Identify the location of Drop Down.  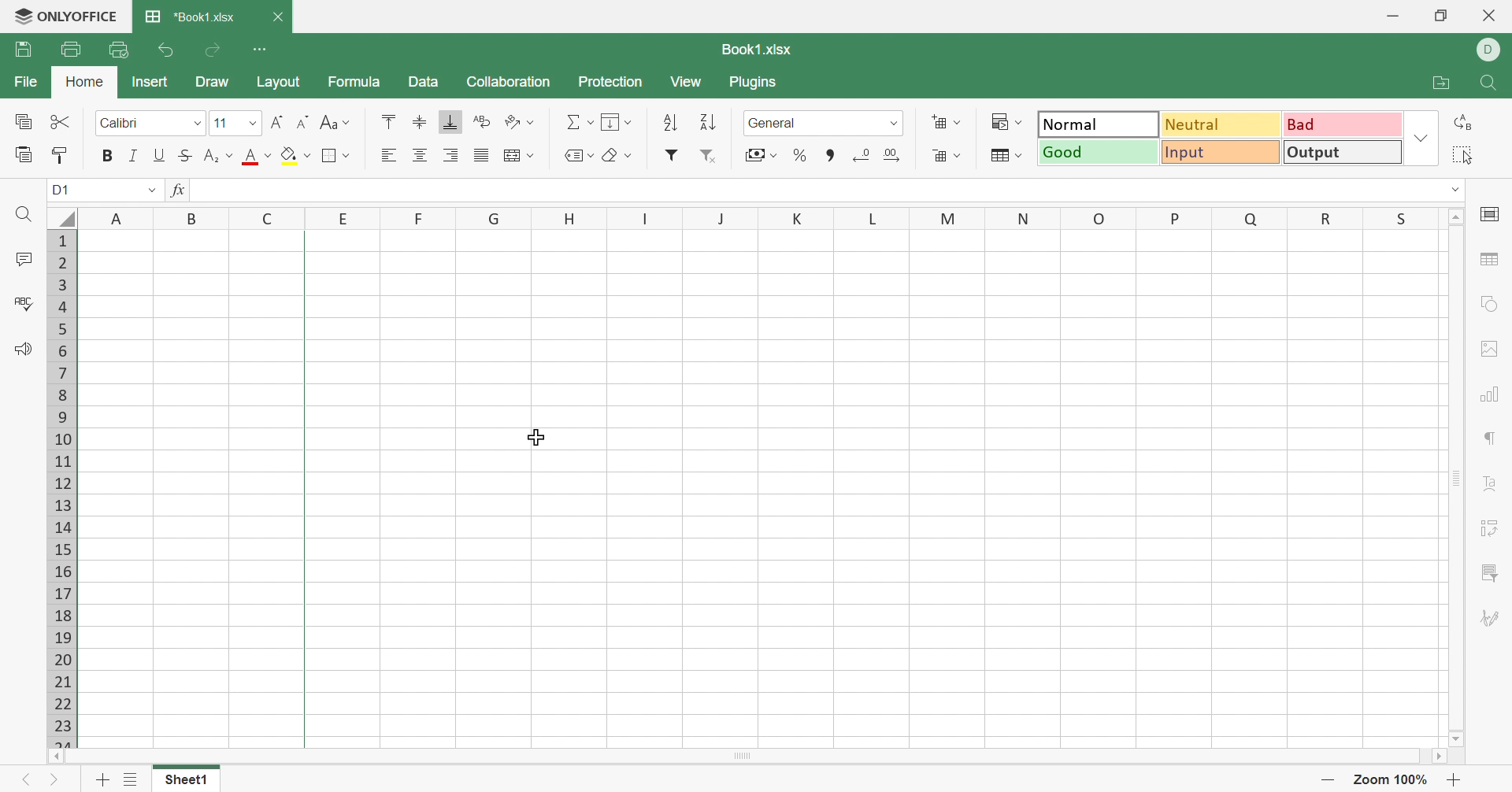
(347, 156).